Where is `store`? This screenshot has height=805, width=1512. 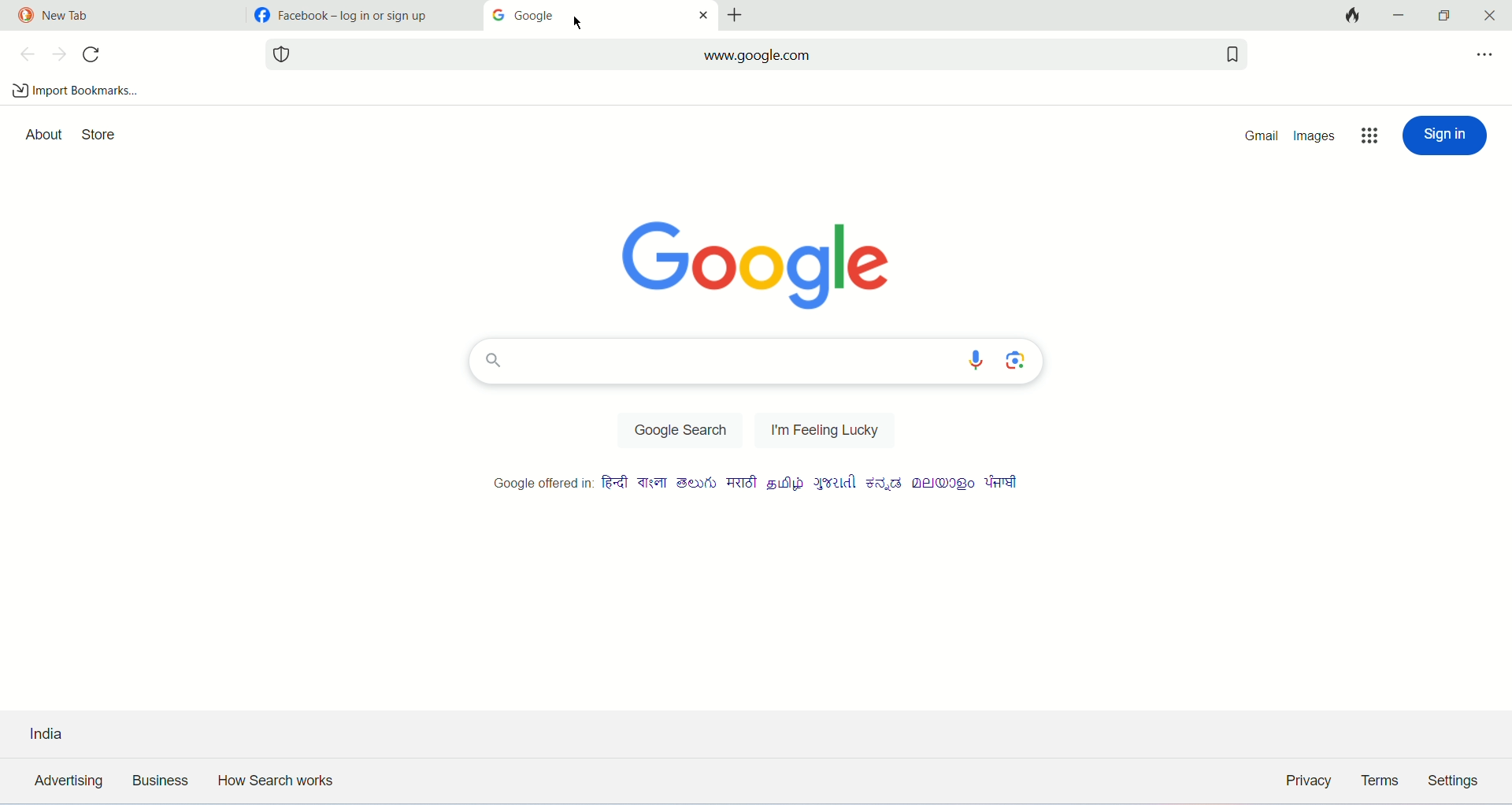
store is located at coordinates (98, 134).